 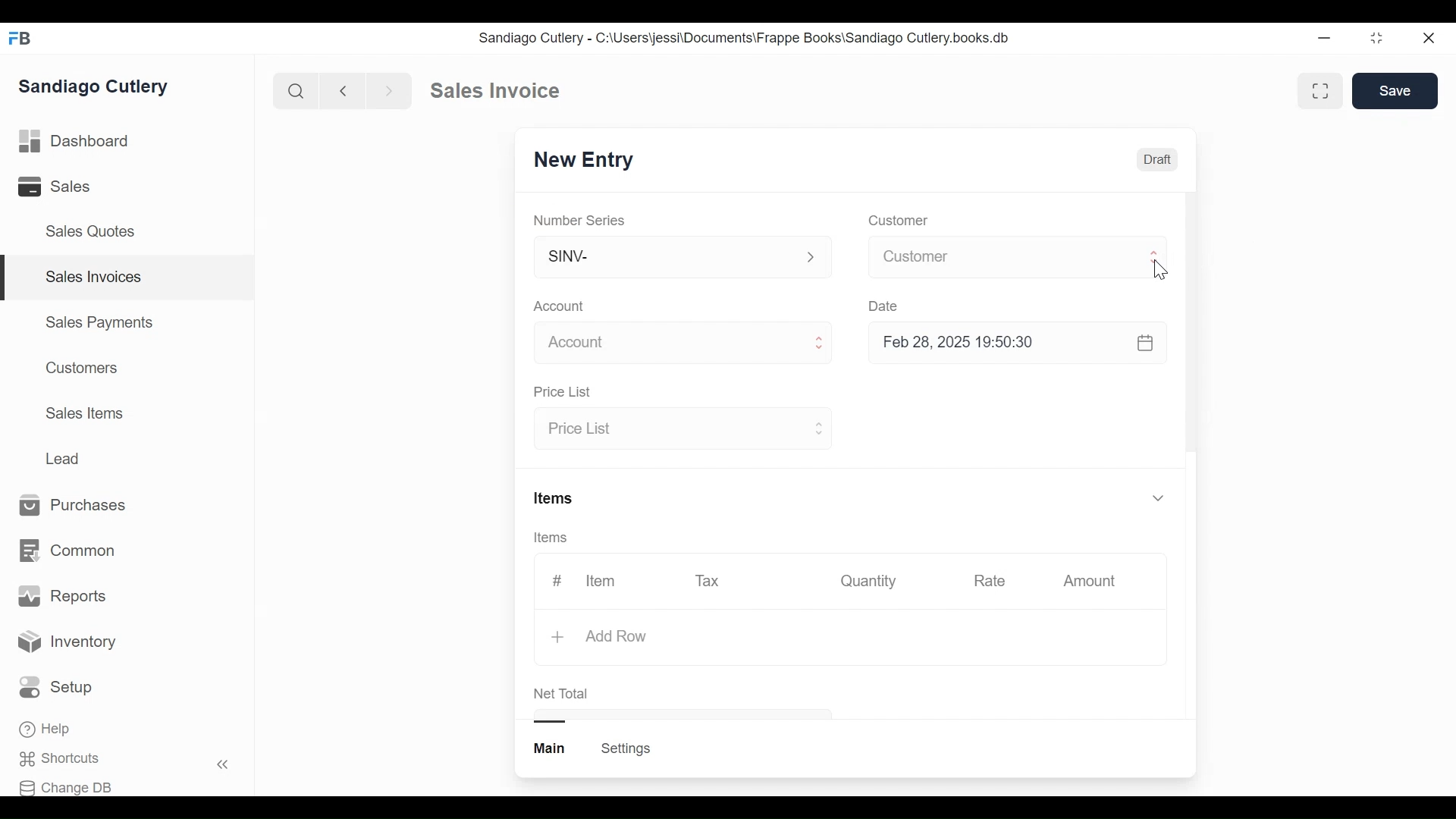 I want to click on «, so click(x=223, y=767).